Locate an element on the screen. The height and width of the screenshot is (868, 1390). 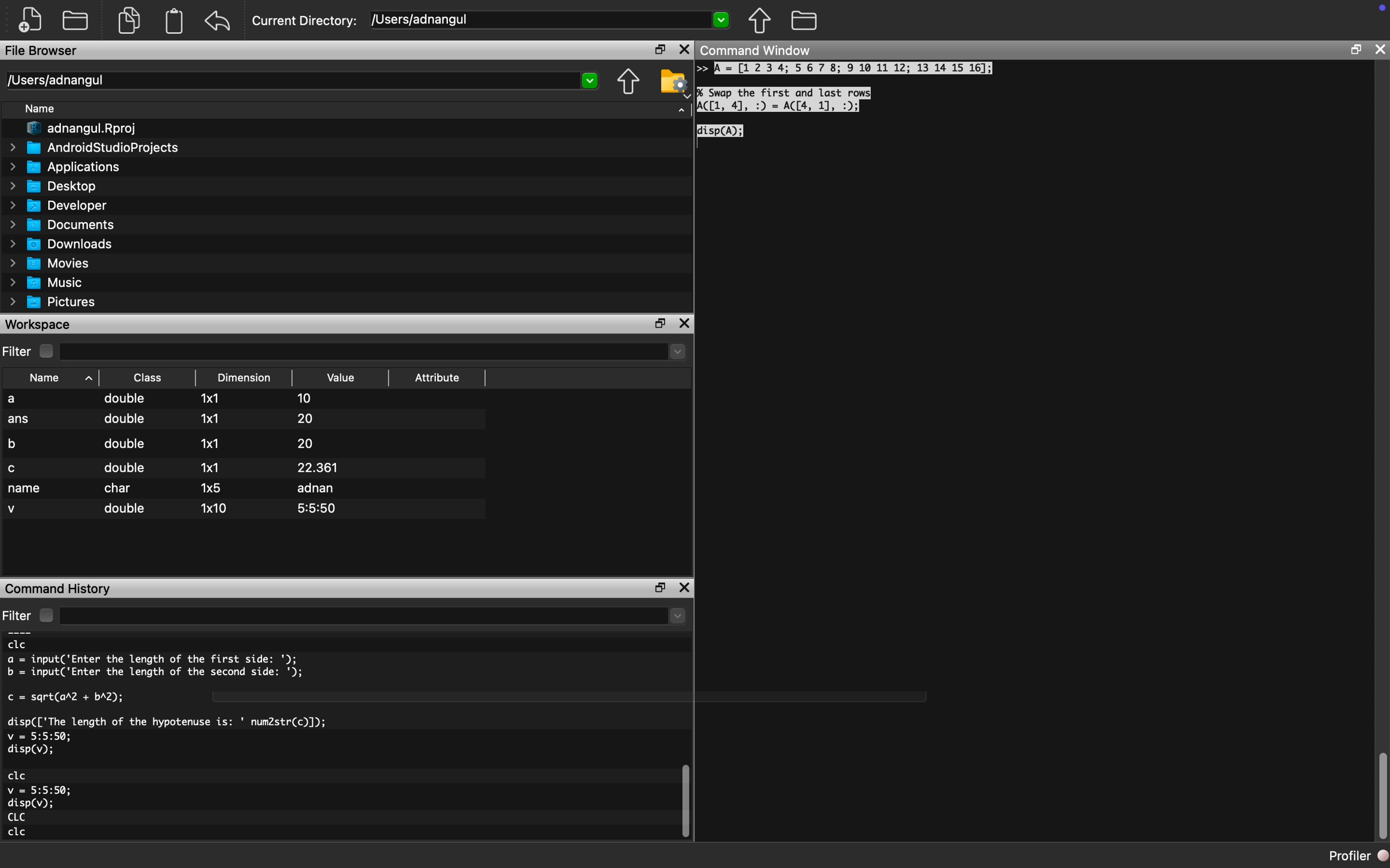
Profiler is located at coordinates (1349, 855).